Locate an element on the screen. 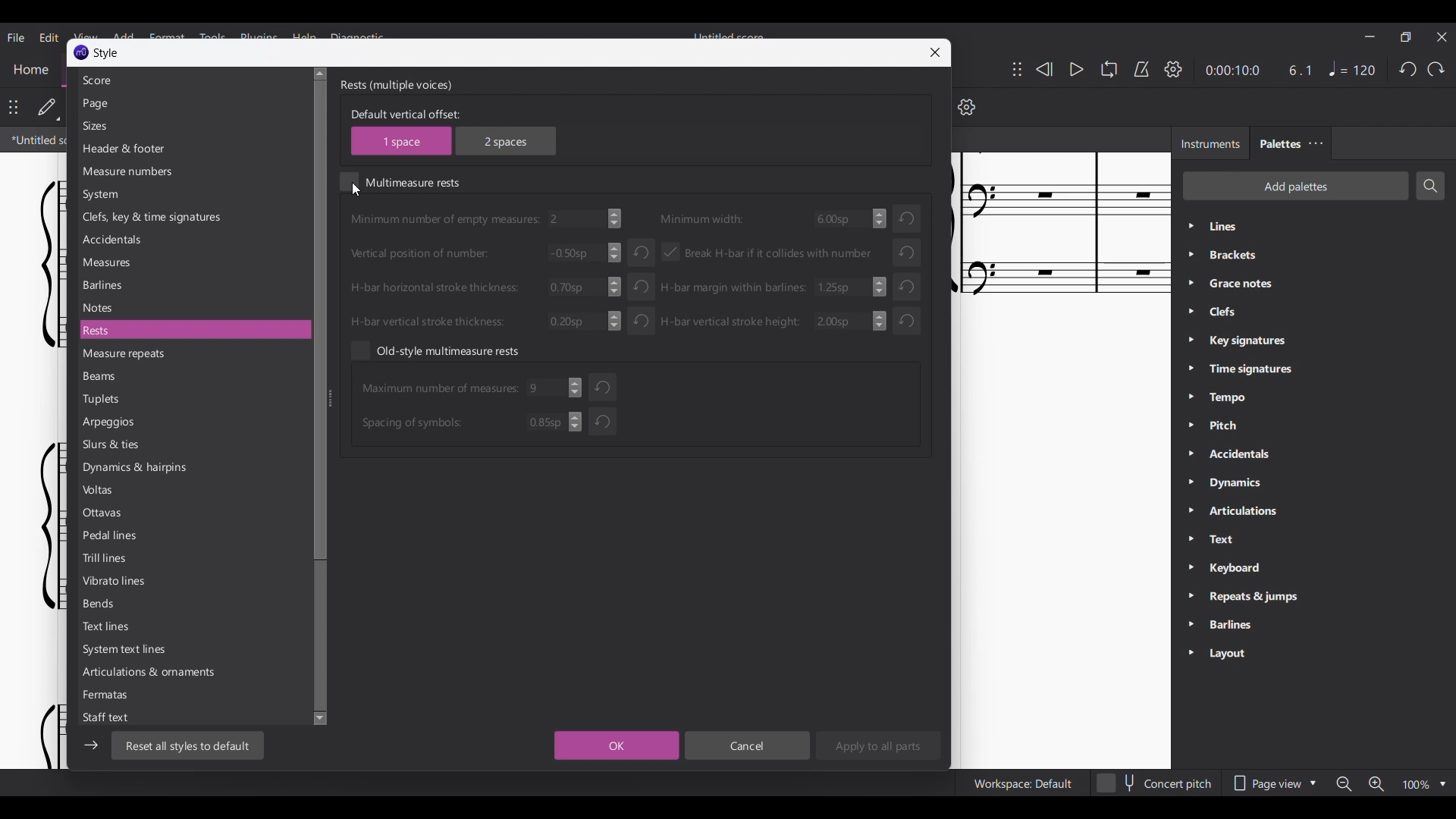 The image size is (1456, 819). Voltas is located at coordinates (192, 490).